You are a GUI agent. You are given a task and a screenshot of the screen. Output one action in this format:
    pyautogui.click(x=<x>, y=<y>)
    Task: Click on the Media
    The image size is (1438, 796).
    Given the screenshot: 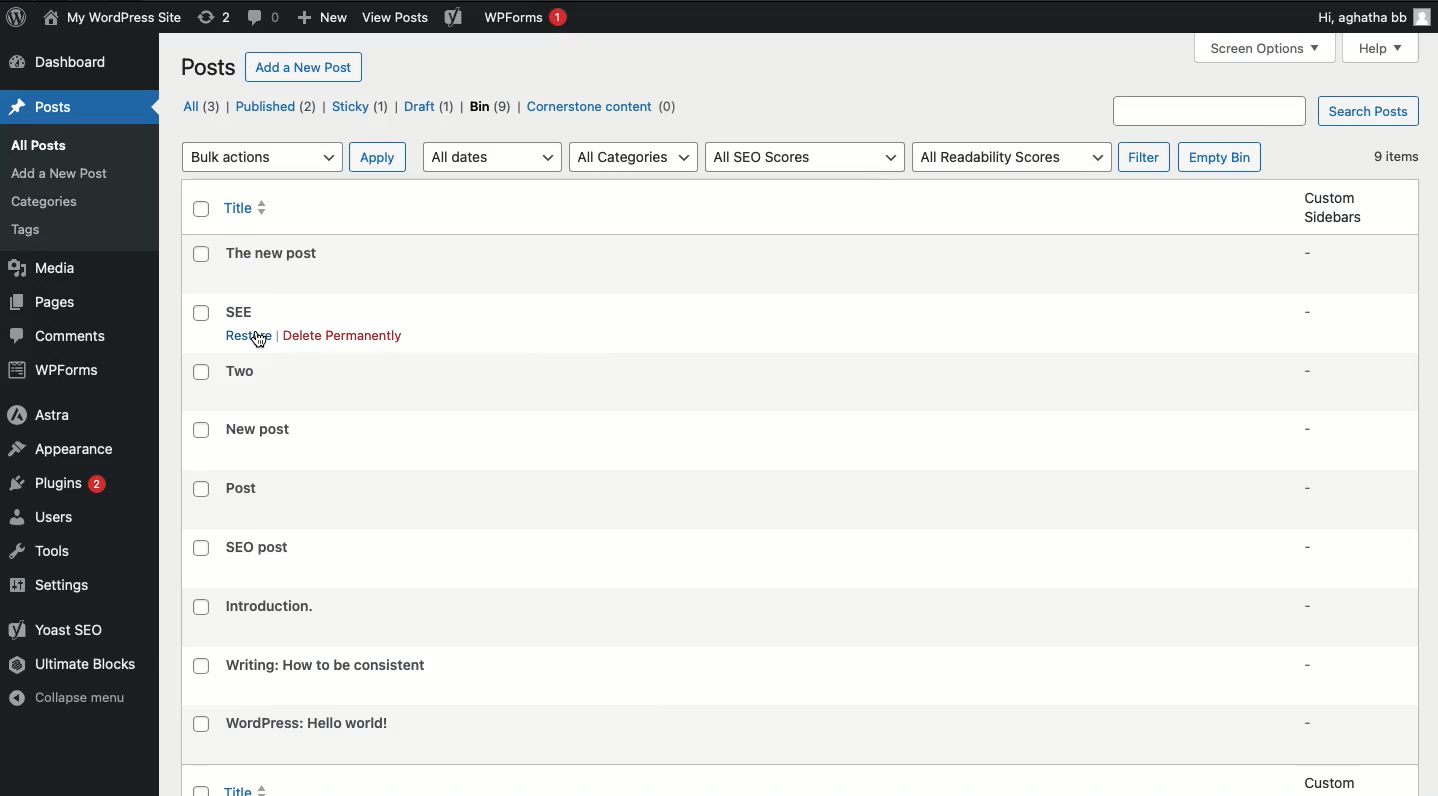 What is the action you would take?
    pyautogui.click(x=43, y=269)
    